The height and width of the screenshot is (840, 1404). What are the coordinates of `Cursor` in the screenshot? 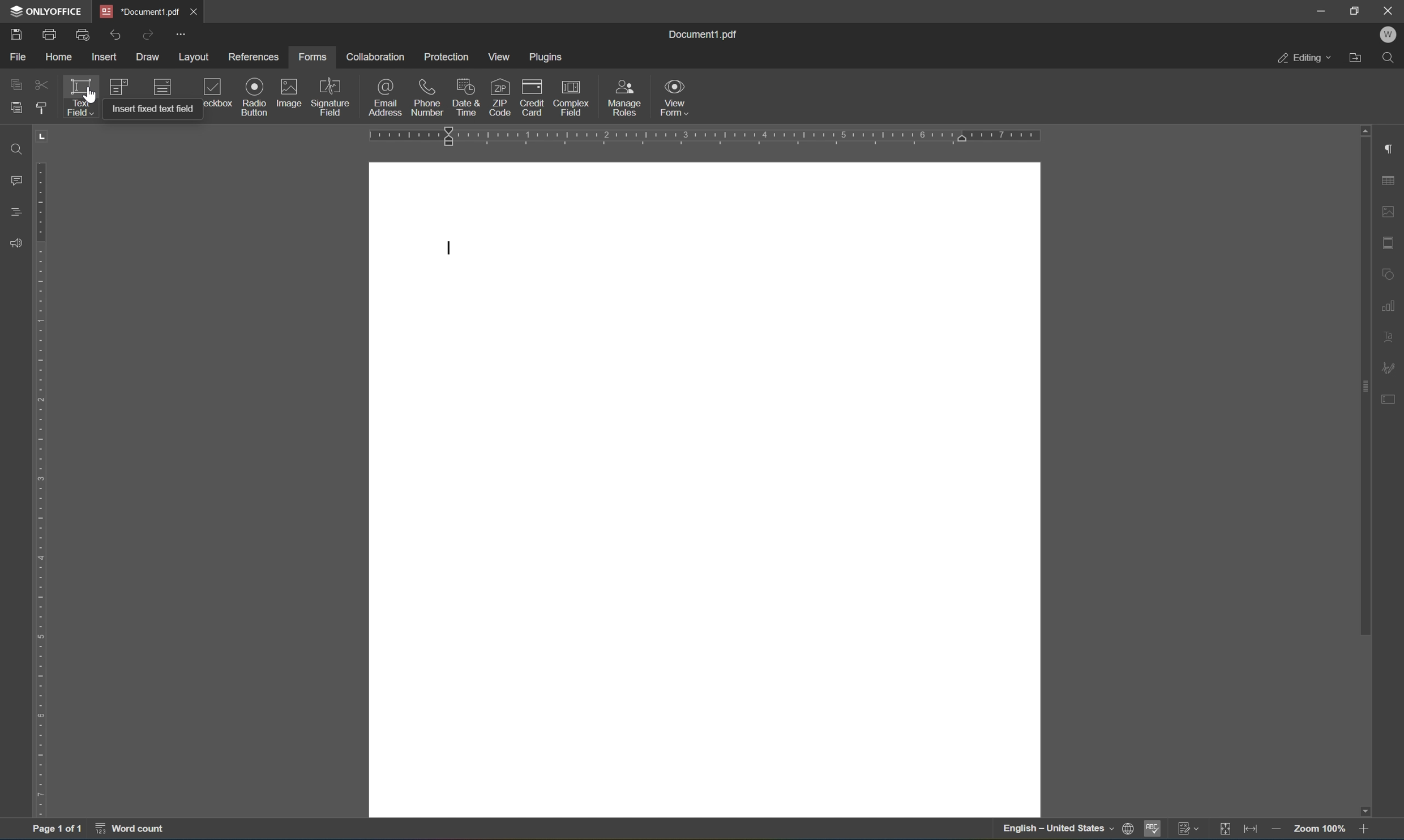 It's located at (88, 98).